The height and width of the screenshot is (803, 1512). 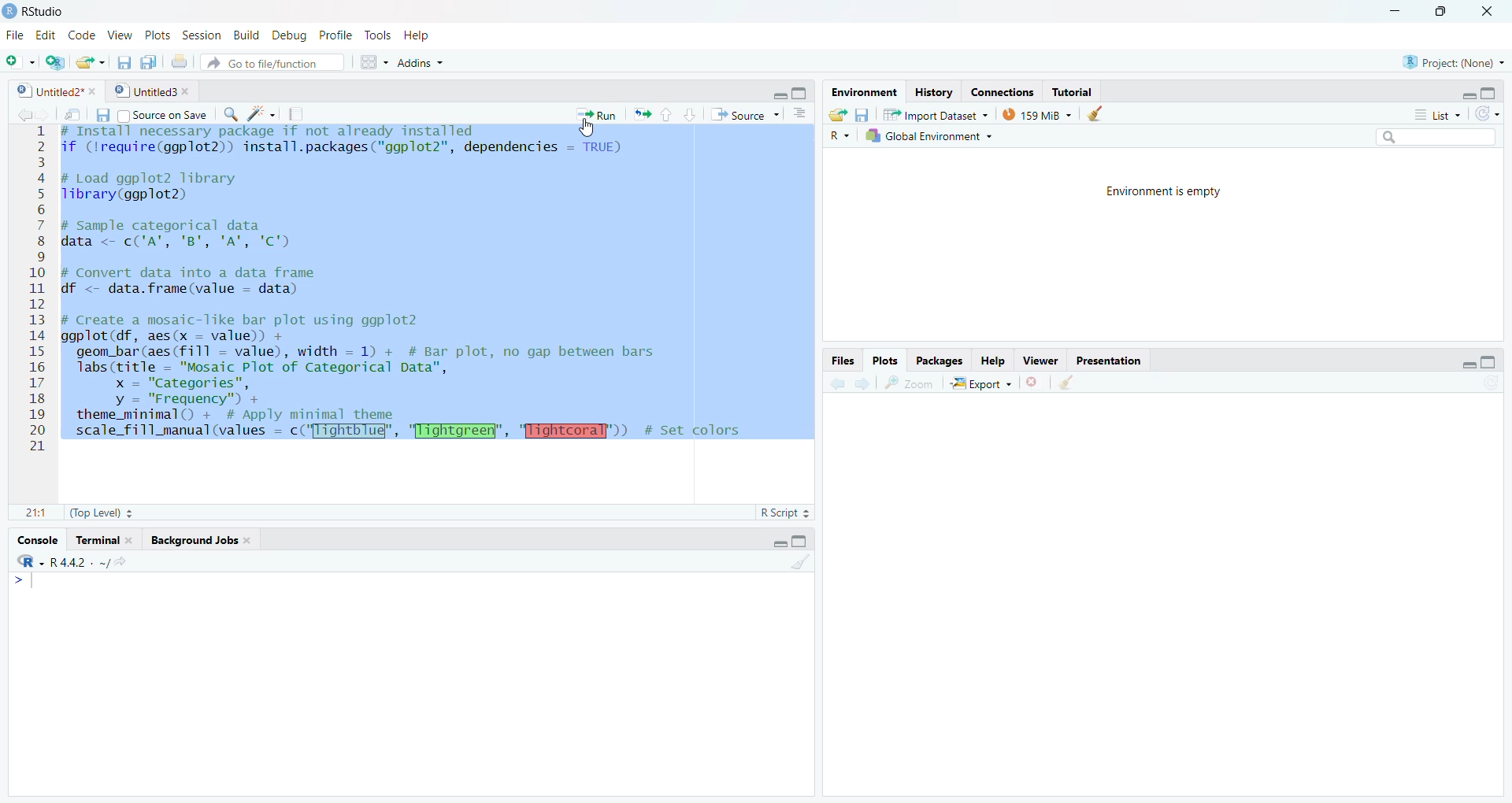 What do you see at coordinates (839, 115) in the screenshot?
I see `Open folder` at bounding box center [839, 115].